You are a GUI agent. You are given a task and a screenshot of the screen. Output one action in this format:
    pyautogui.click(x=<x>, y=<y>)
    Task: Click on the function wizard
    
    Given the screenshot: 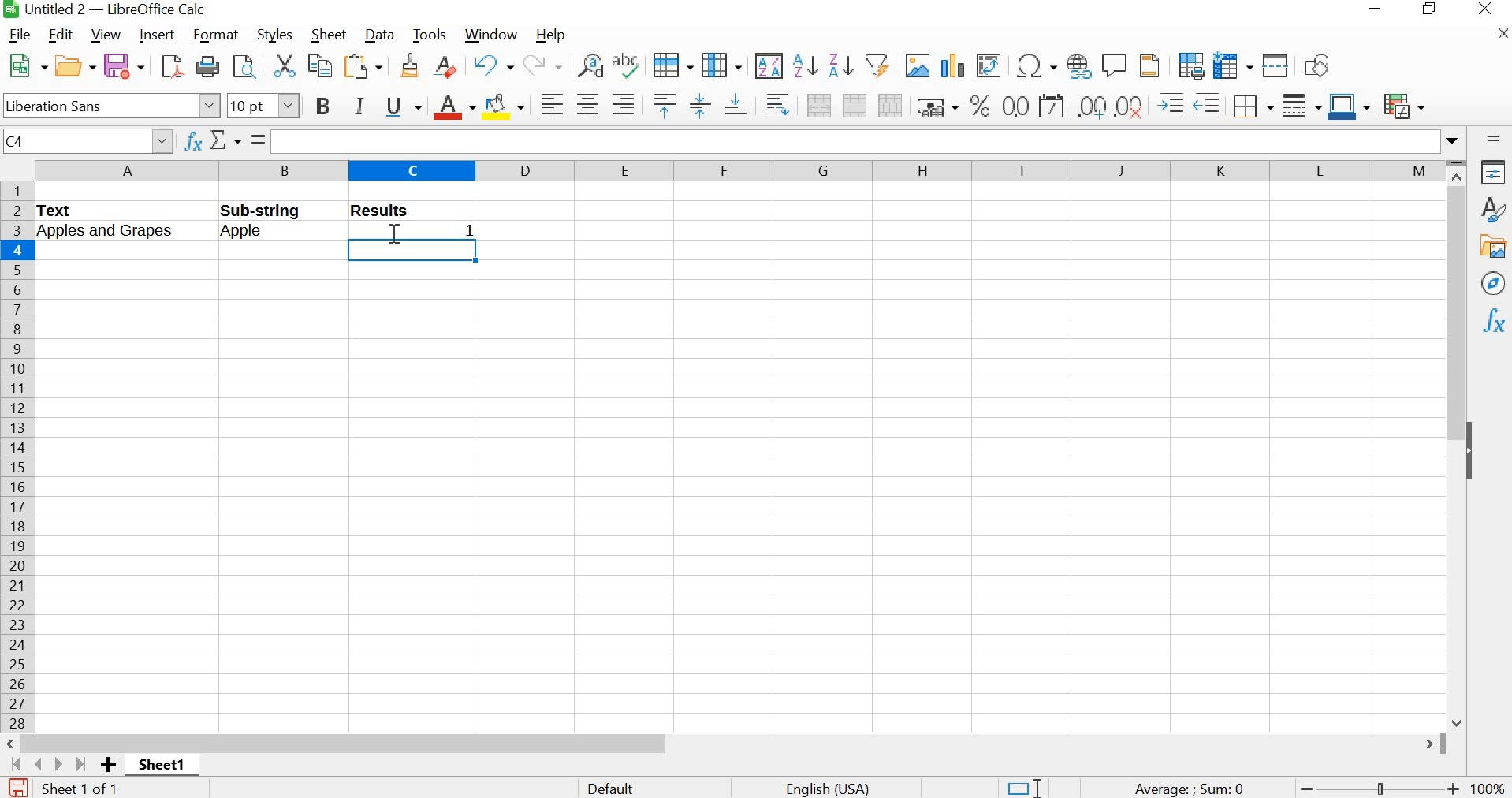 What is the action you would take?
    pyautogui.click(x=193, y=142)
    